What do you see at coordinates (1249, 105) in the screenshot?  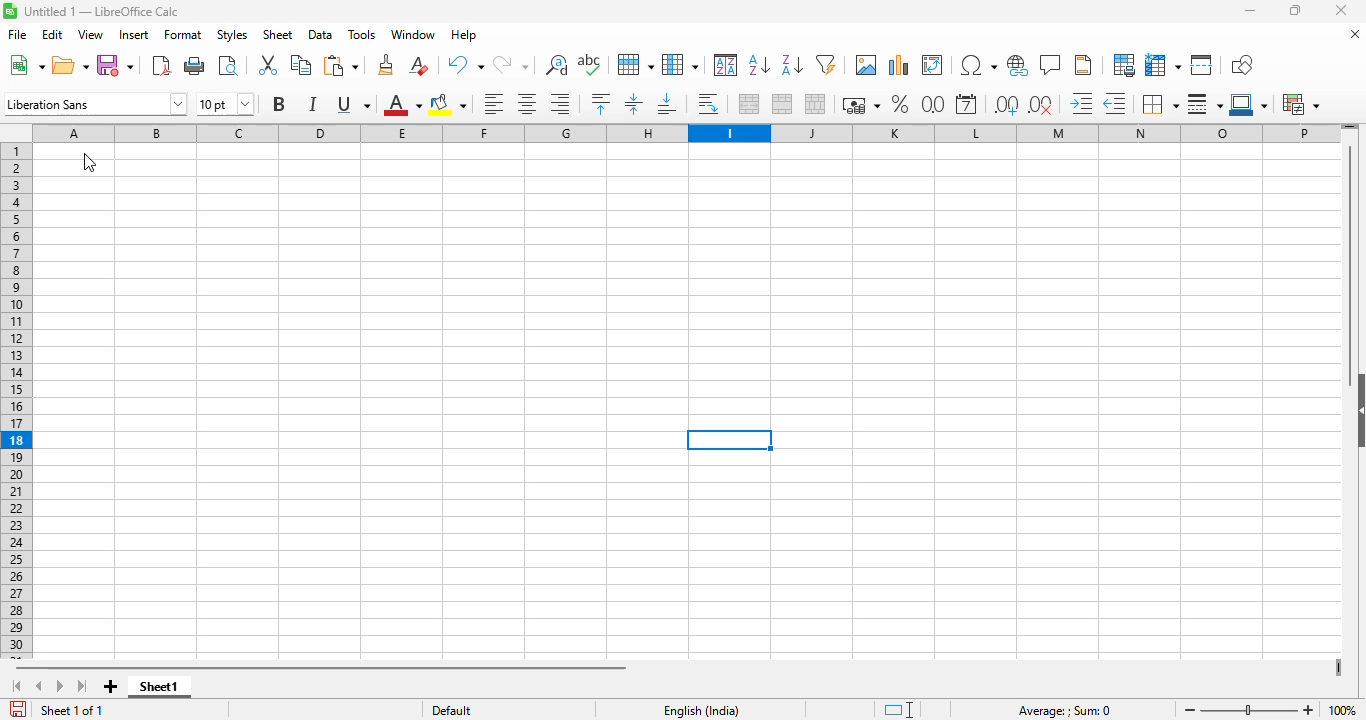 I see `border color` at bounding box center [1249, 105].